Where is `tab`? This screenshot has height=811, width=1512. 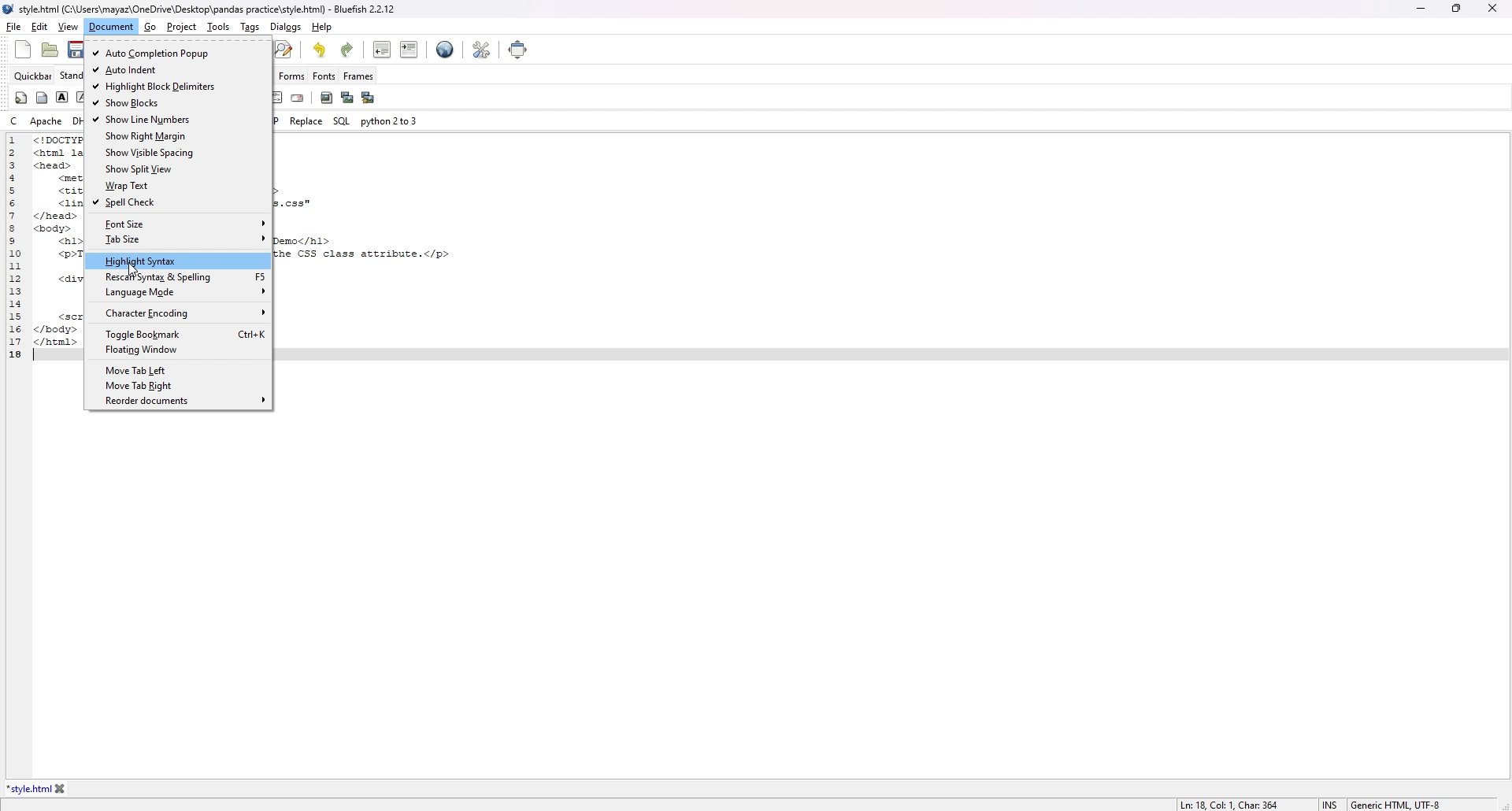 tab is located at coordinates (28, 788).